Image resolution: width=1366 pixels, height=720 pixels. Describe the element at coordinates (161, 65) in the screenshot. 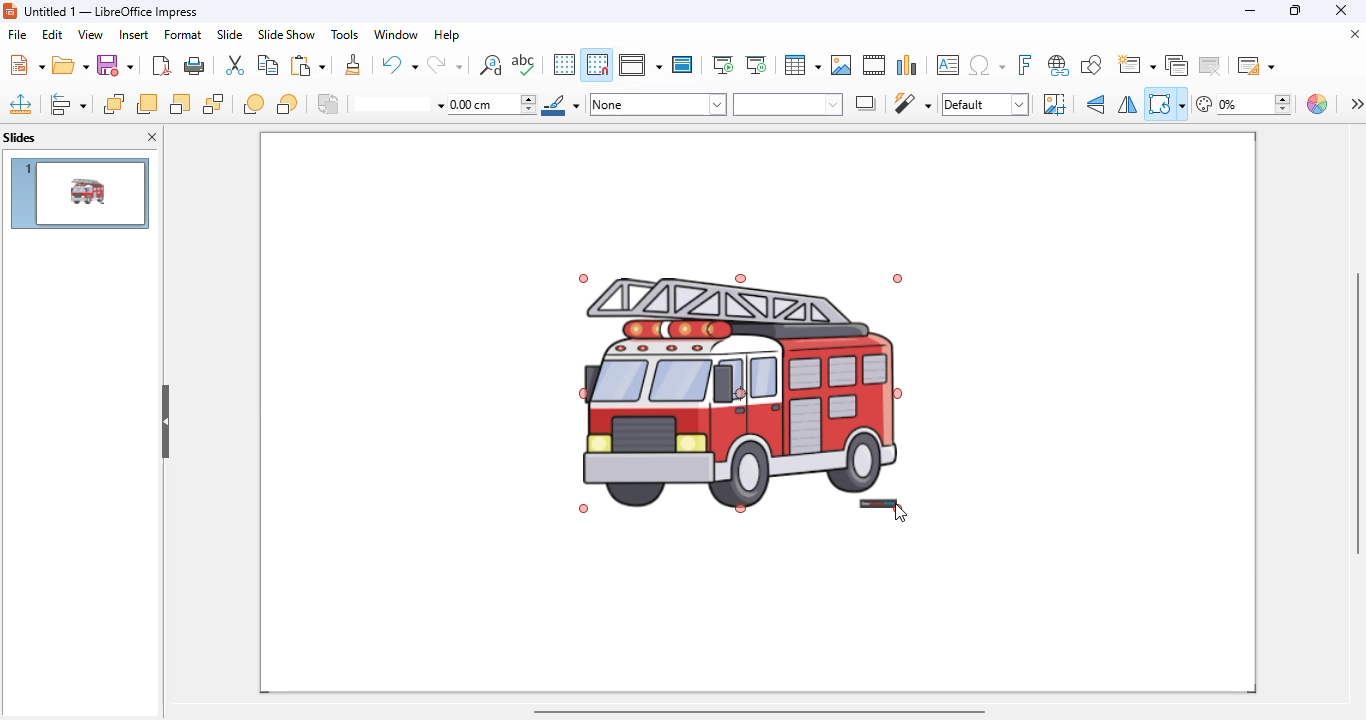

I see `export directly as PDF` at that location.